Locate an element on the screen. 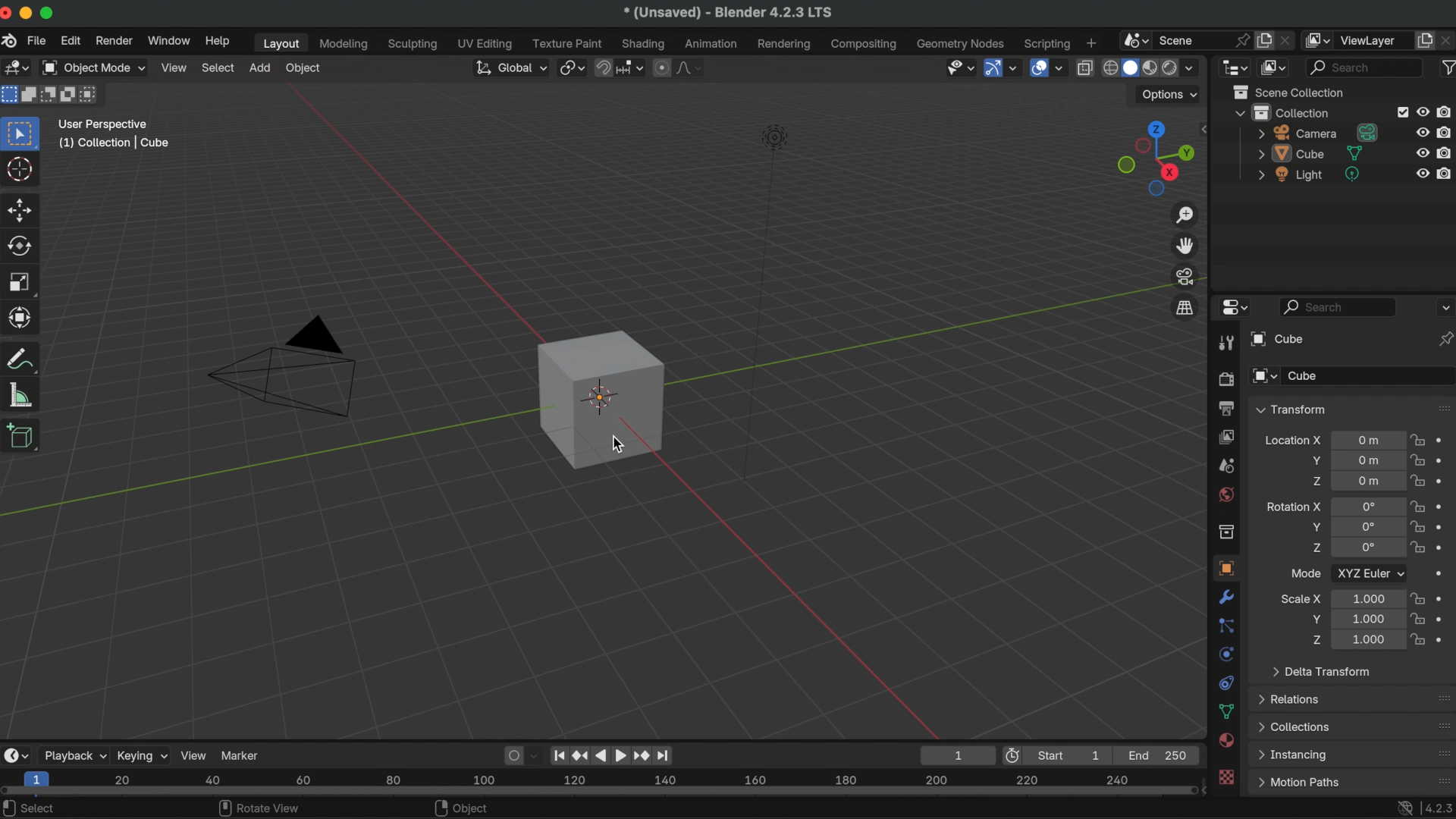 This screenshot has width=1456, height=819. overlays is located at coordinates (1061, 69).